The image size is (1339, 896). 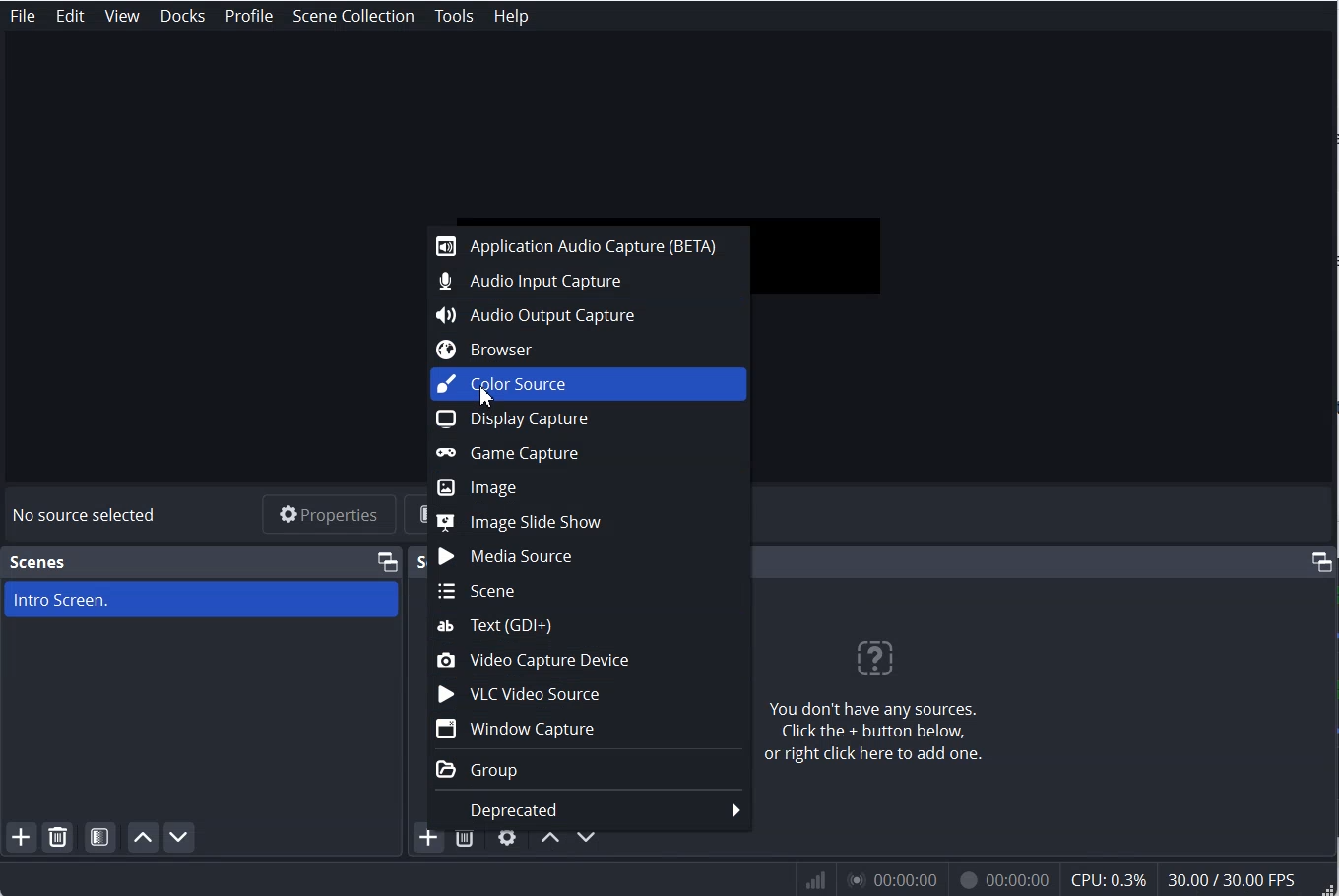 What do you see at coordinates (184, 16) in the screenshot?
I see `Docks` at bounding box center [184, 16].